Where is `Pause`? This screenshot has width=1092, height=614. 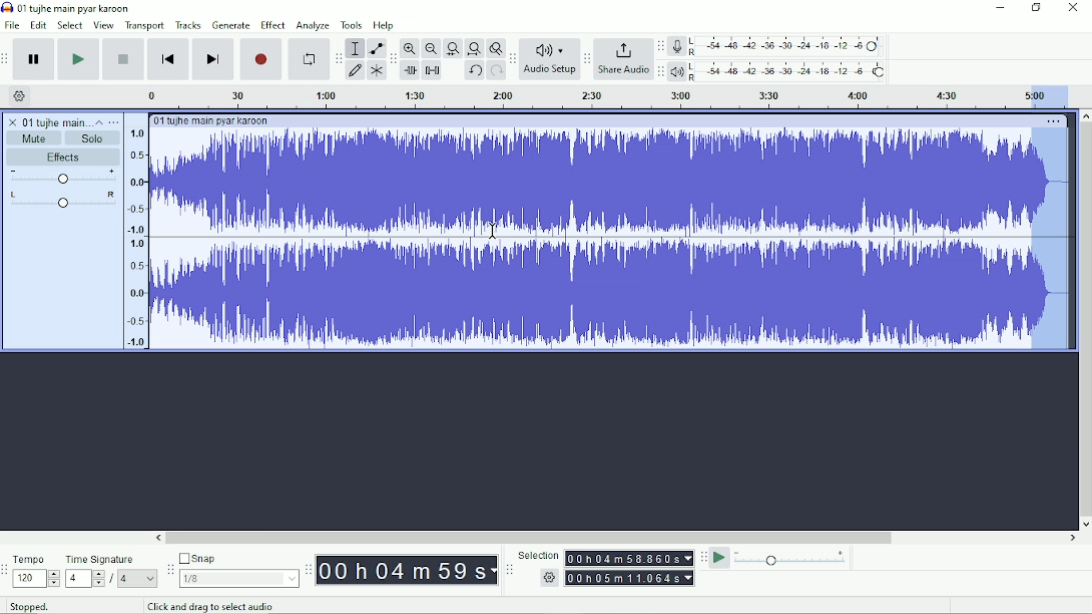
Pause is located at coordinates (34, 59).